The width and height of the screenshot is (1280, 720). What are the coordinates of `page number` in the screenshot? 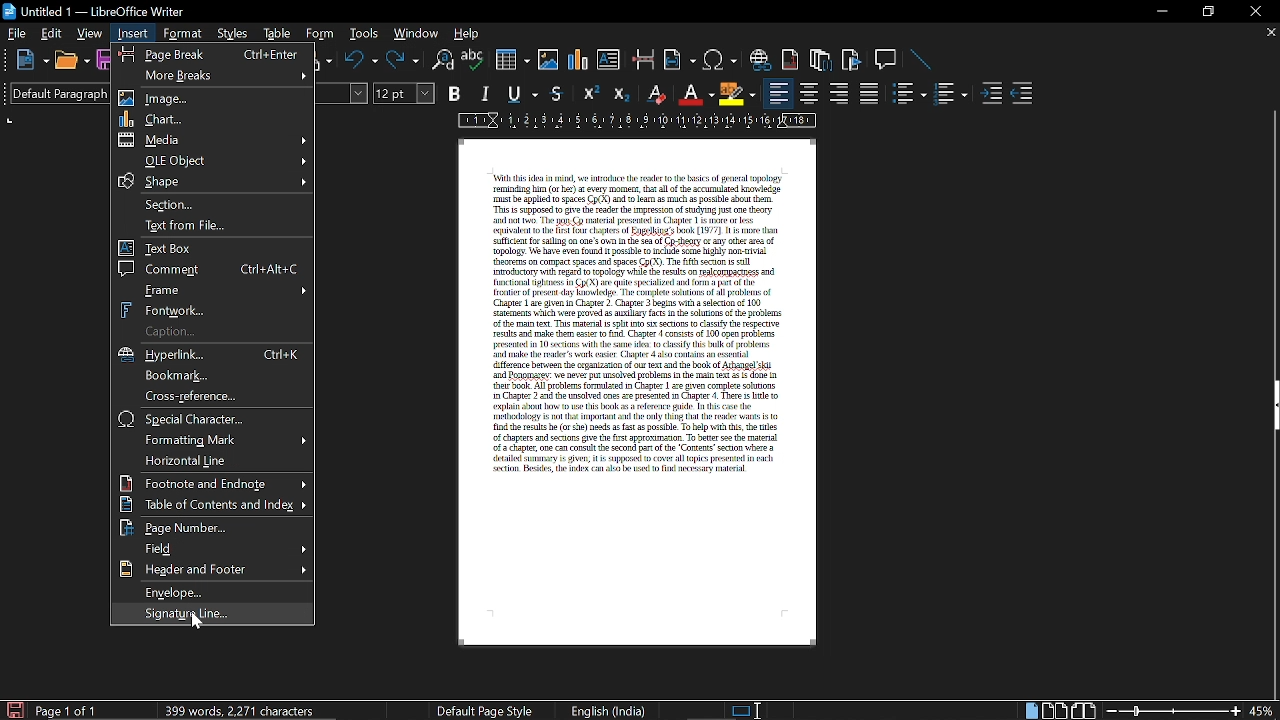 It's located at (211, 528).